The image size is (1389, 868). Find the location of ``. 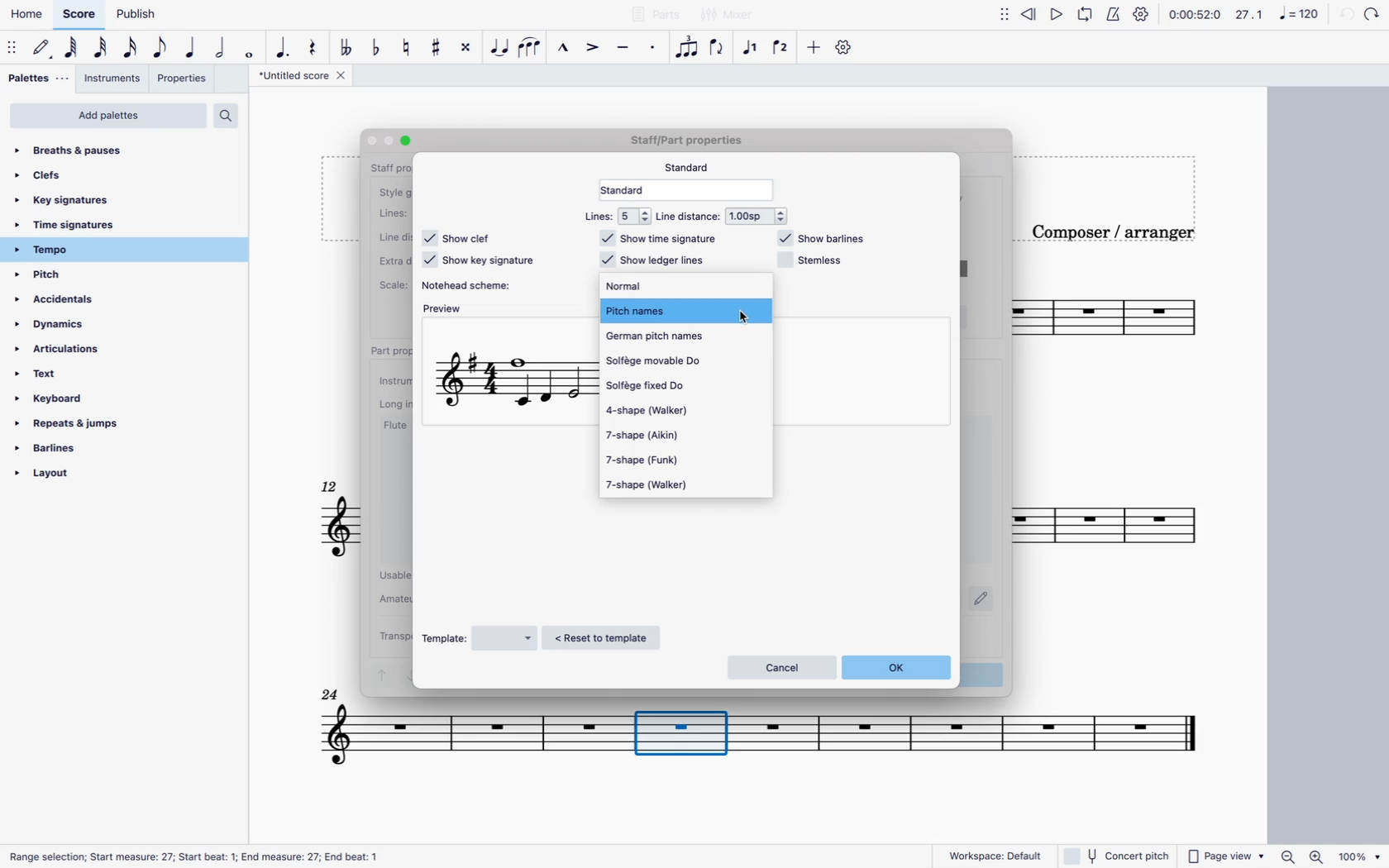

 is located at coordinates (693, 143).